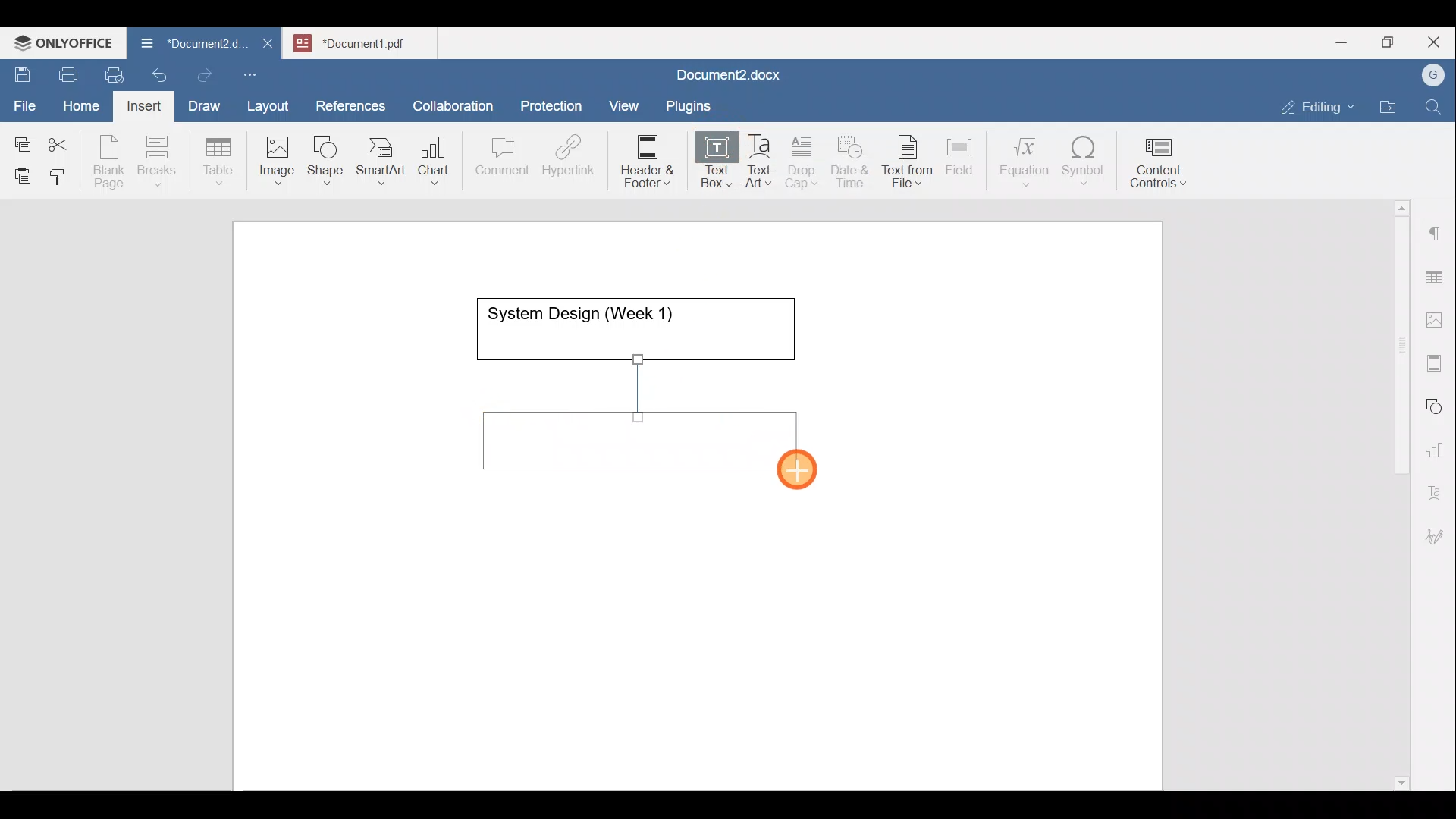  What do you see at coordinates (625, 101) in the screenshot?
I see `View` at bounding box center [625, 101].